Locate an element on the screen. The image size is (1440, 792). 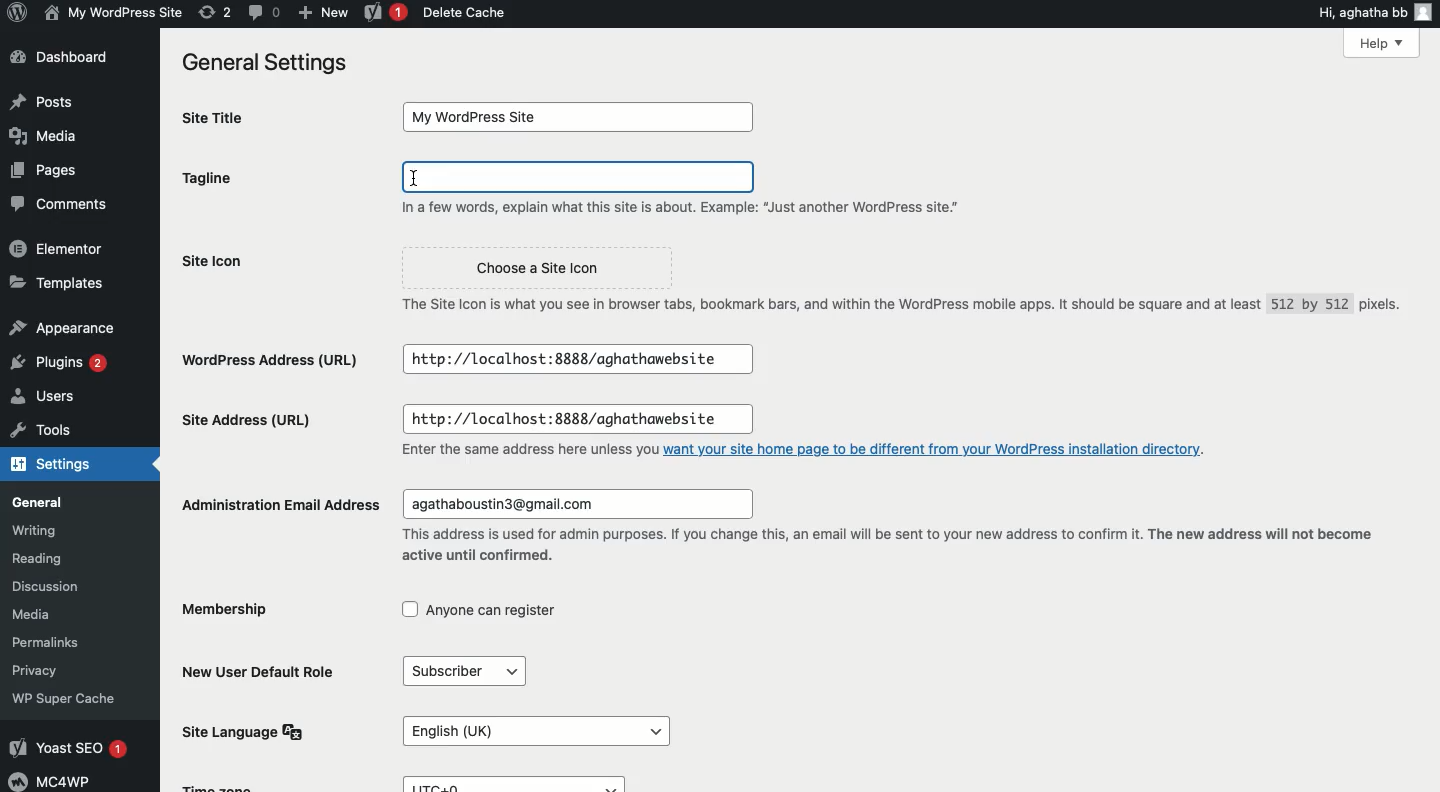
Site icon is located at coordinates (275, 264).